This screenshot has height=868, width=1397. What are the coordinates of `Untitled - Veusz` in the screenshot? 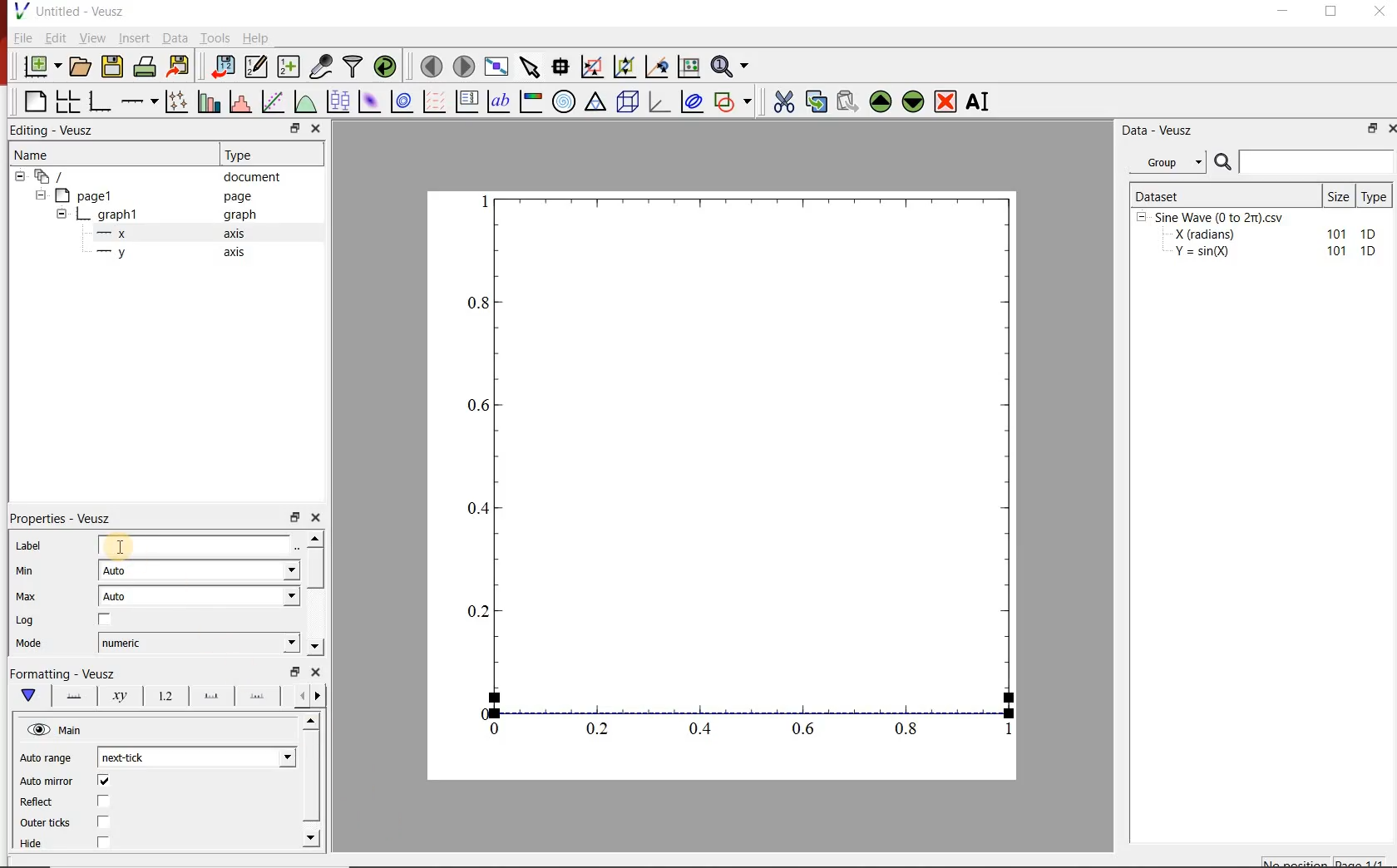 It's located at (81, 11).